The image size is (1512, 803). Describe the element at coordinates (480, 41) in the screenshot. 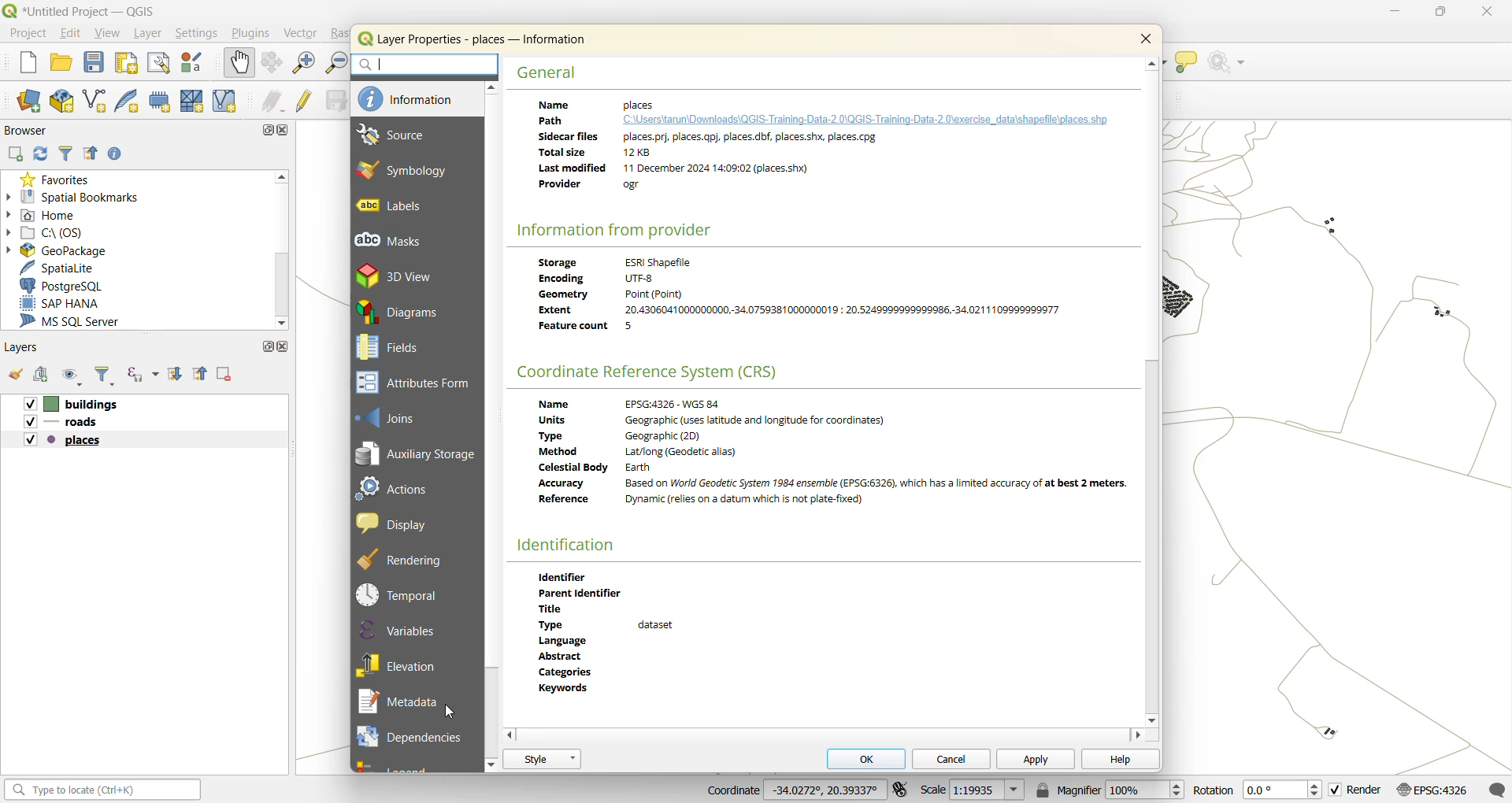

I see `layer properties` at that location.